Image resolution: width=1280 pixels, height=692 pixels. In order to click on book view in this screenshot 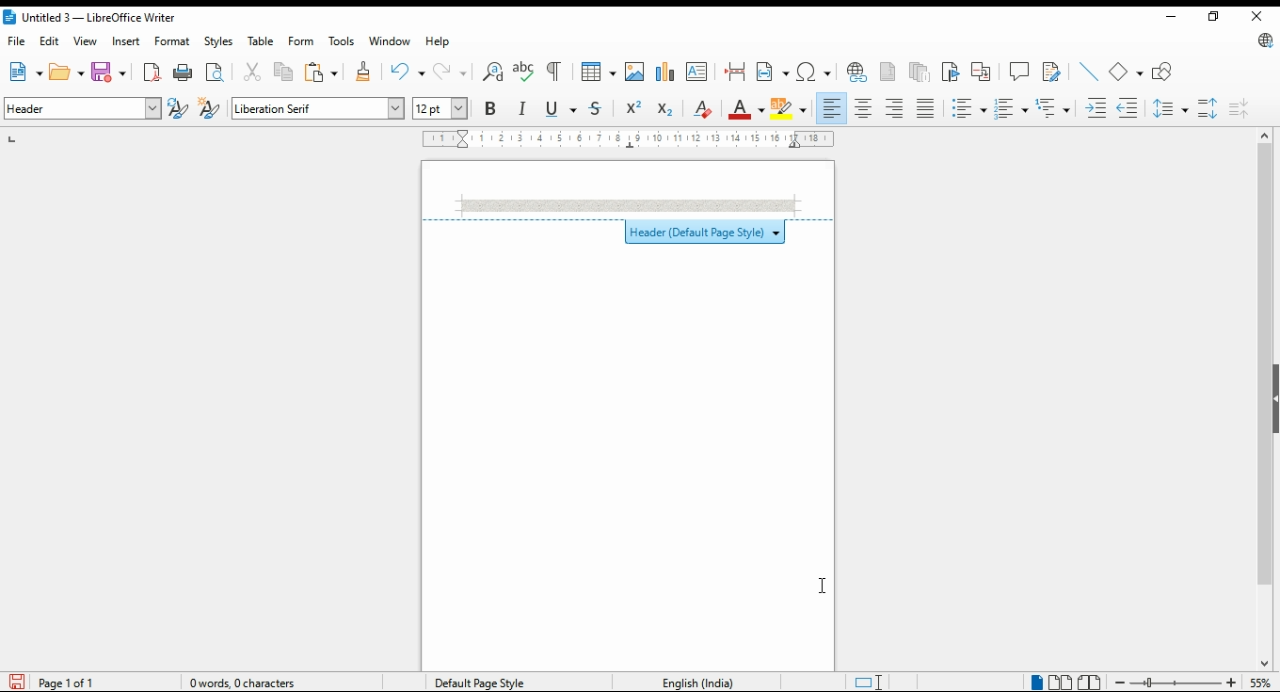, I will do `click(1090, 683)`.